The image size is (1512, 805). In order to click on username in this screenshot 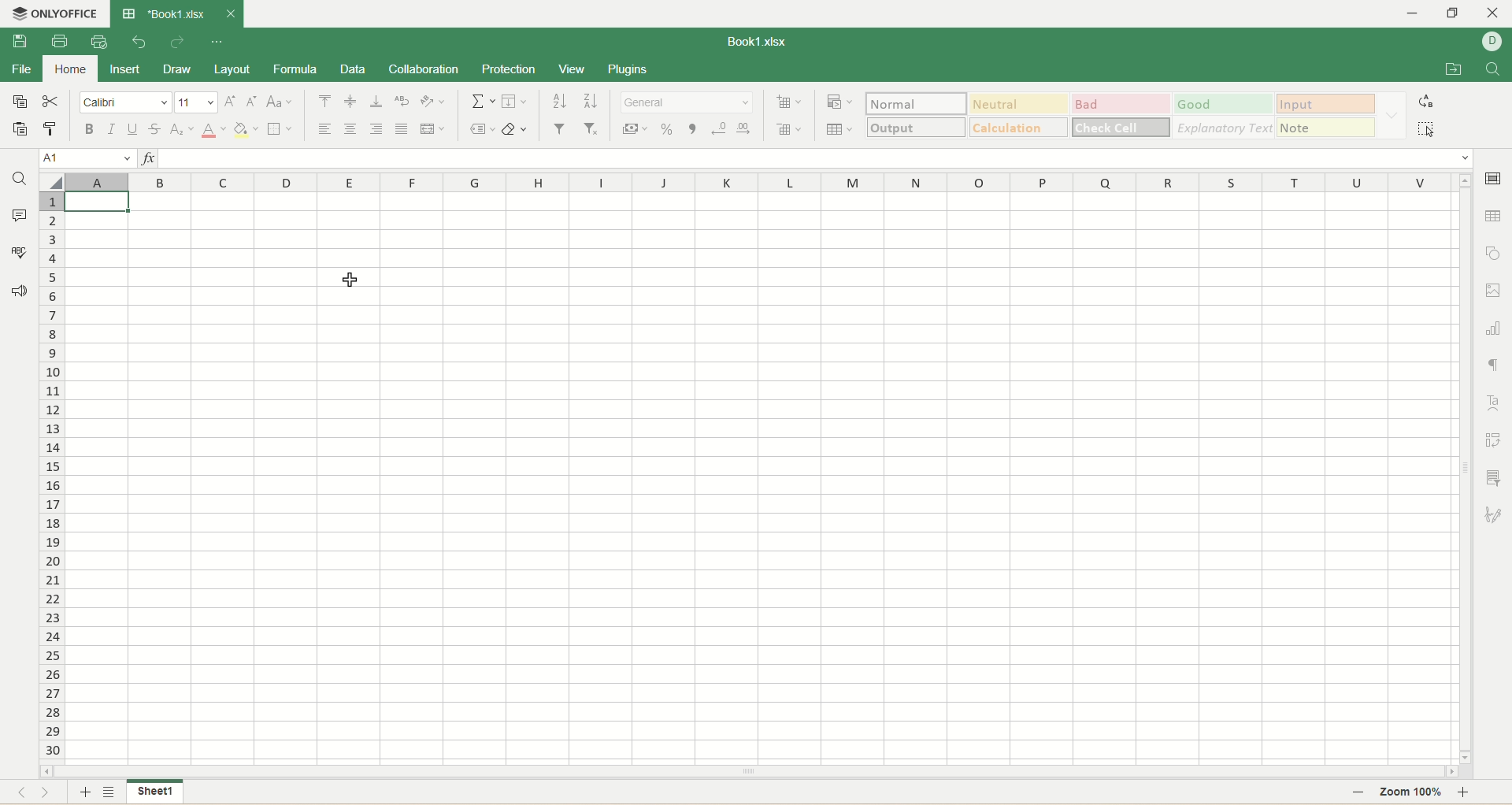, I will do `click(1492, 44)`.